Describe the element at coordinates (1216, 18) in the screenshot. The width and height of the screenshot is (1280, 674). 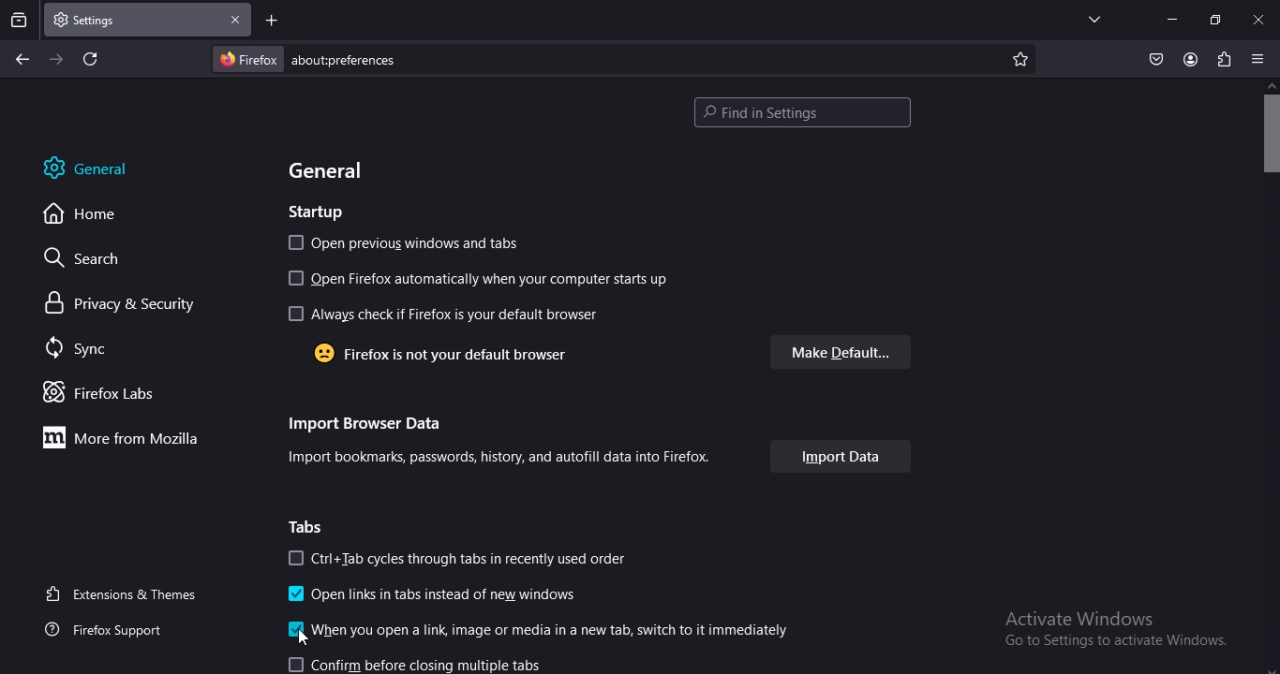
I see `restore windows` at that location.